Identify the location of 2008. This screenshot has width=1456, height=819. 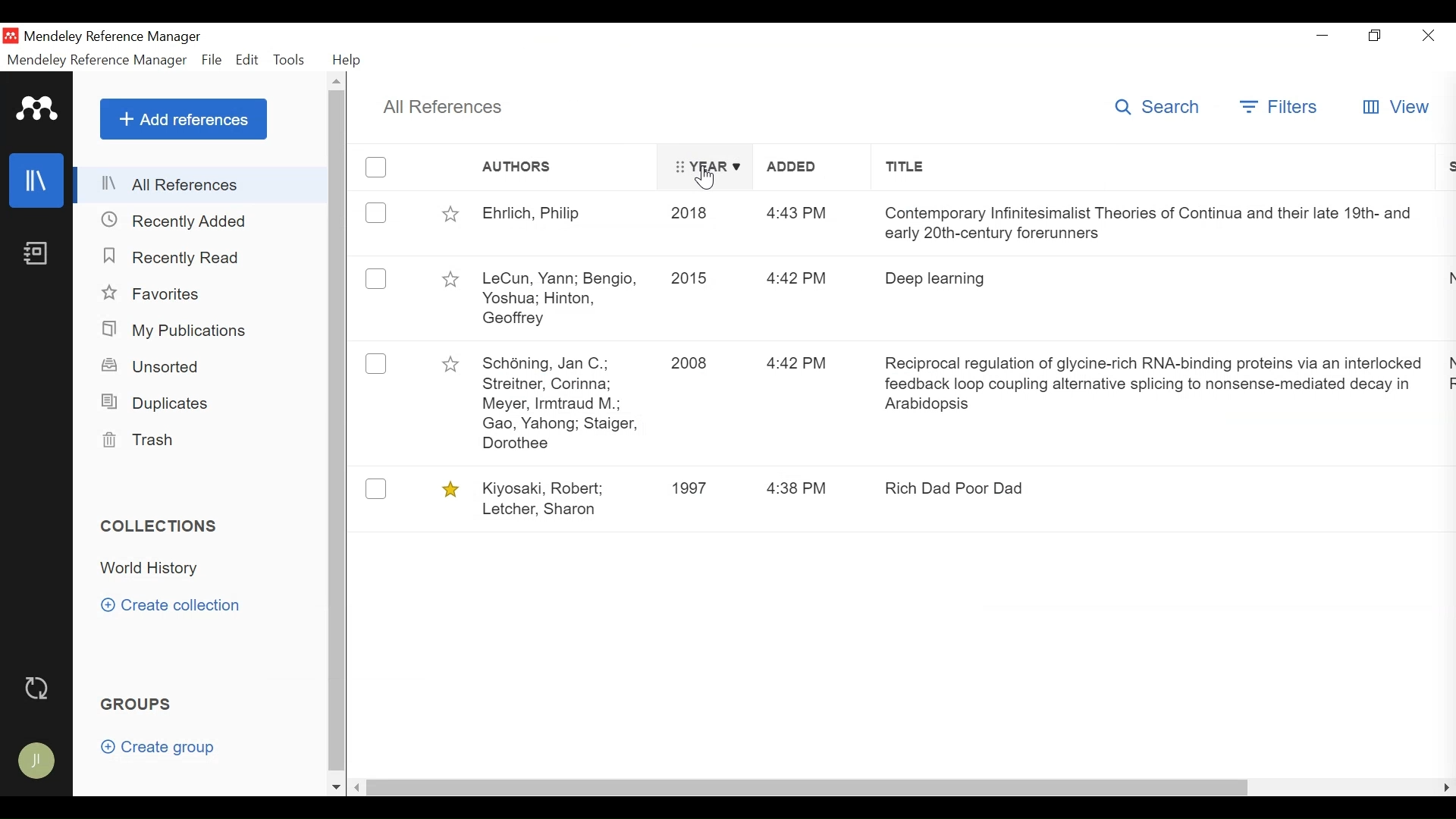
(695, 365).